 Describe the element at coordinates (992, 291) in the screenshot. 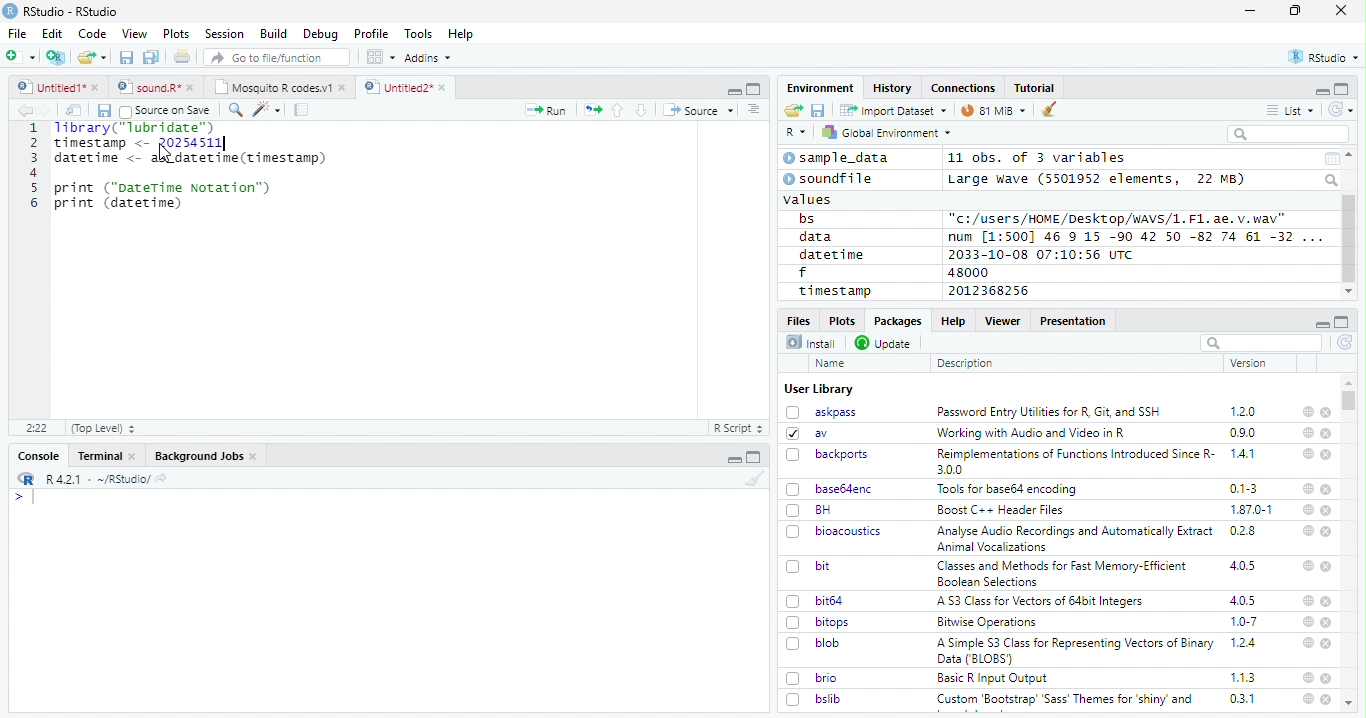

I see `2012368256` at that location.